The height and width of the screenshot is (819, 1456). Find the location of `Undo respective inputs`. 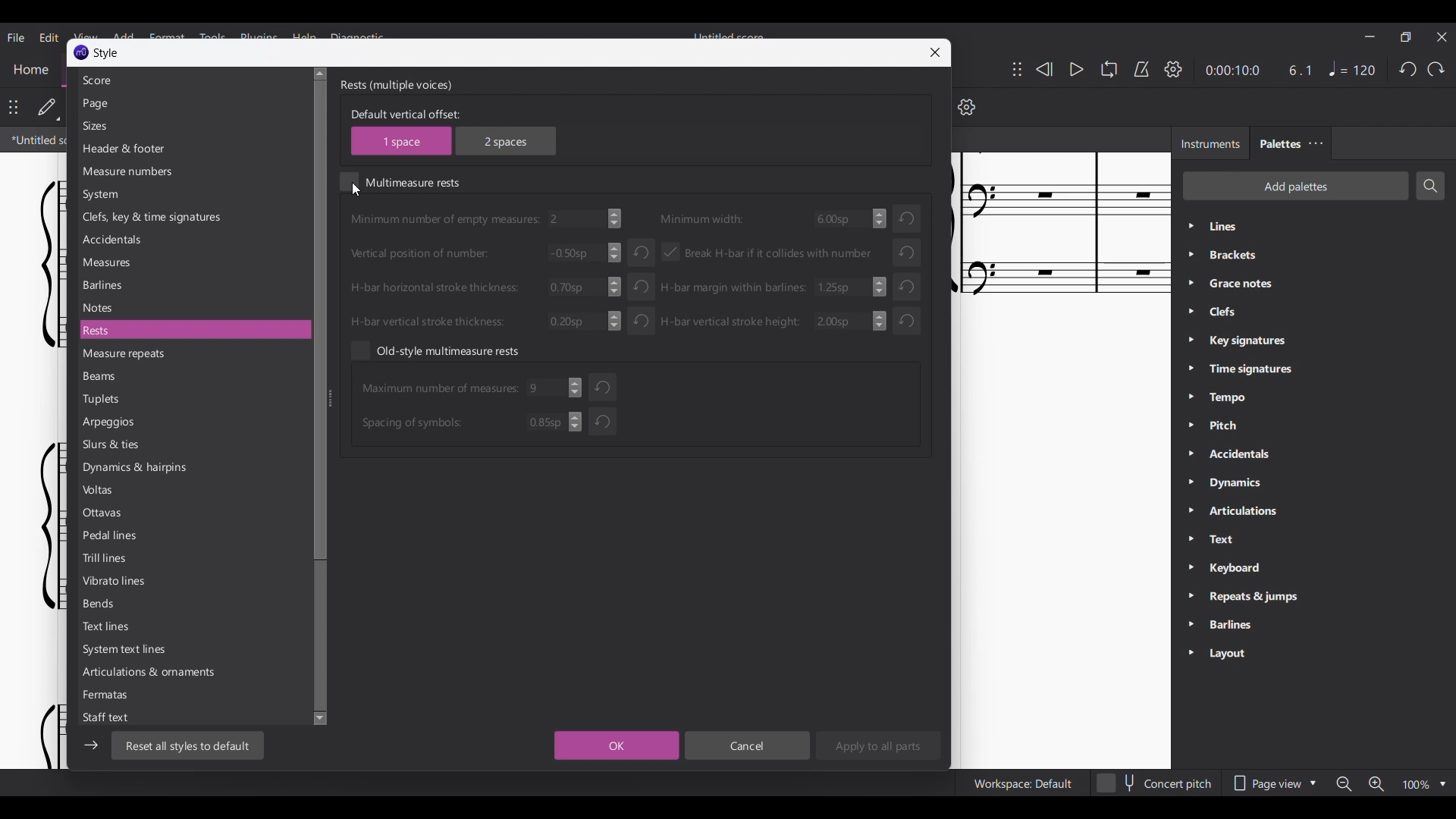

Undo respective inputs is located at coordinates (602, 405).